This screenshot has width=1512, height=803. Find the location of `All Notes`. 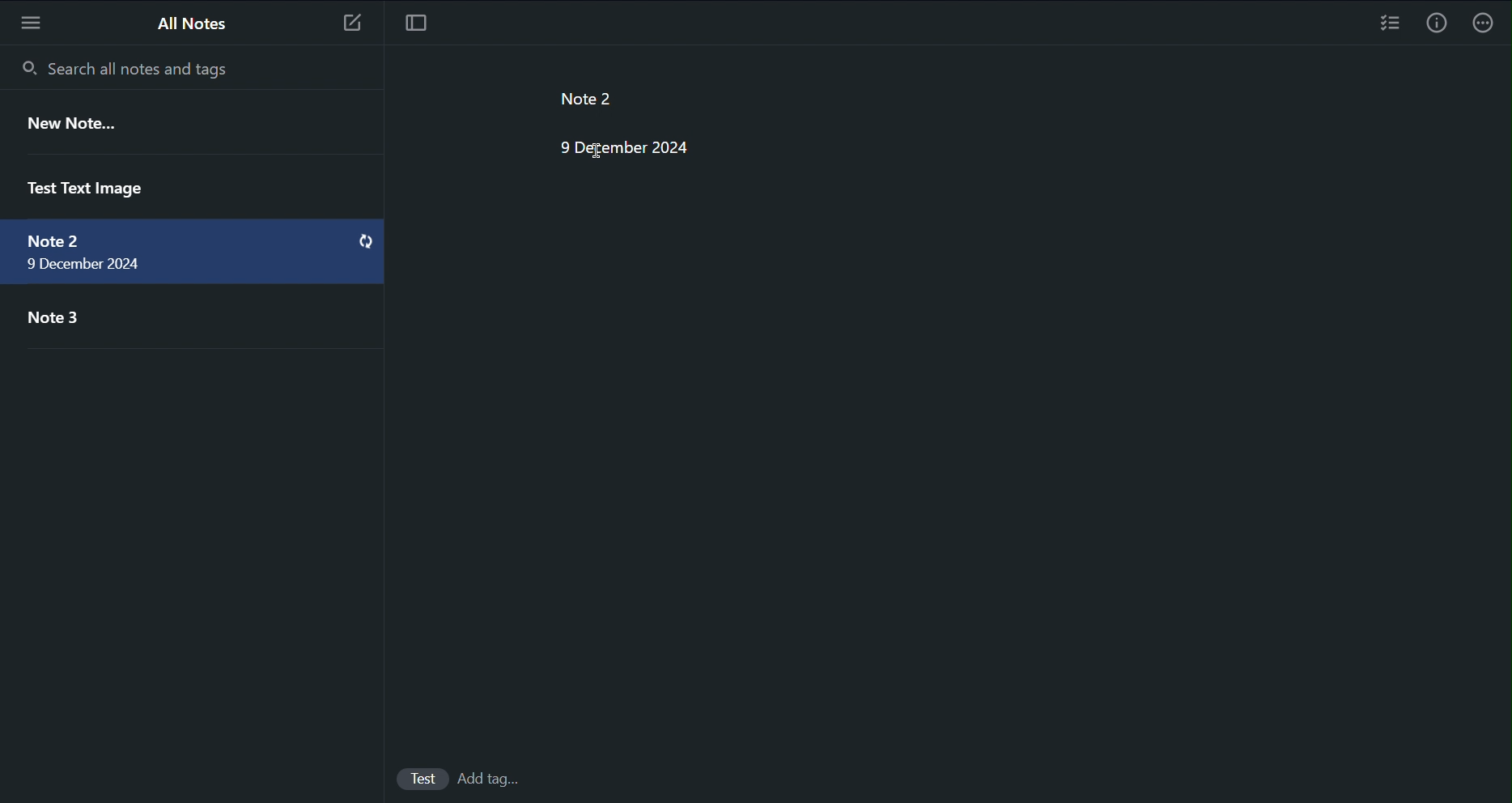

All Notes is located at coordinates (189, 22).